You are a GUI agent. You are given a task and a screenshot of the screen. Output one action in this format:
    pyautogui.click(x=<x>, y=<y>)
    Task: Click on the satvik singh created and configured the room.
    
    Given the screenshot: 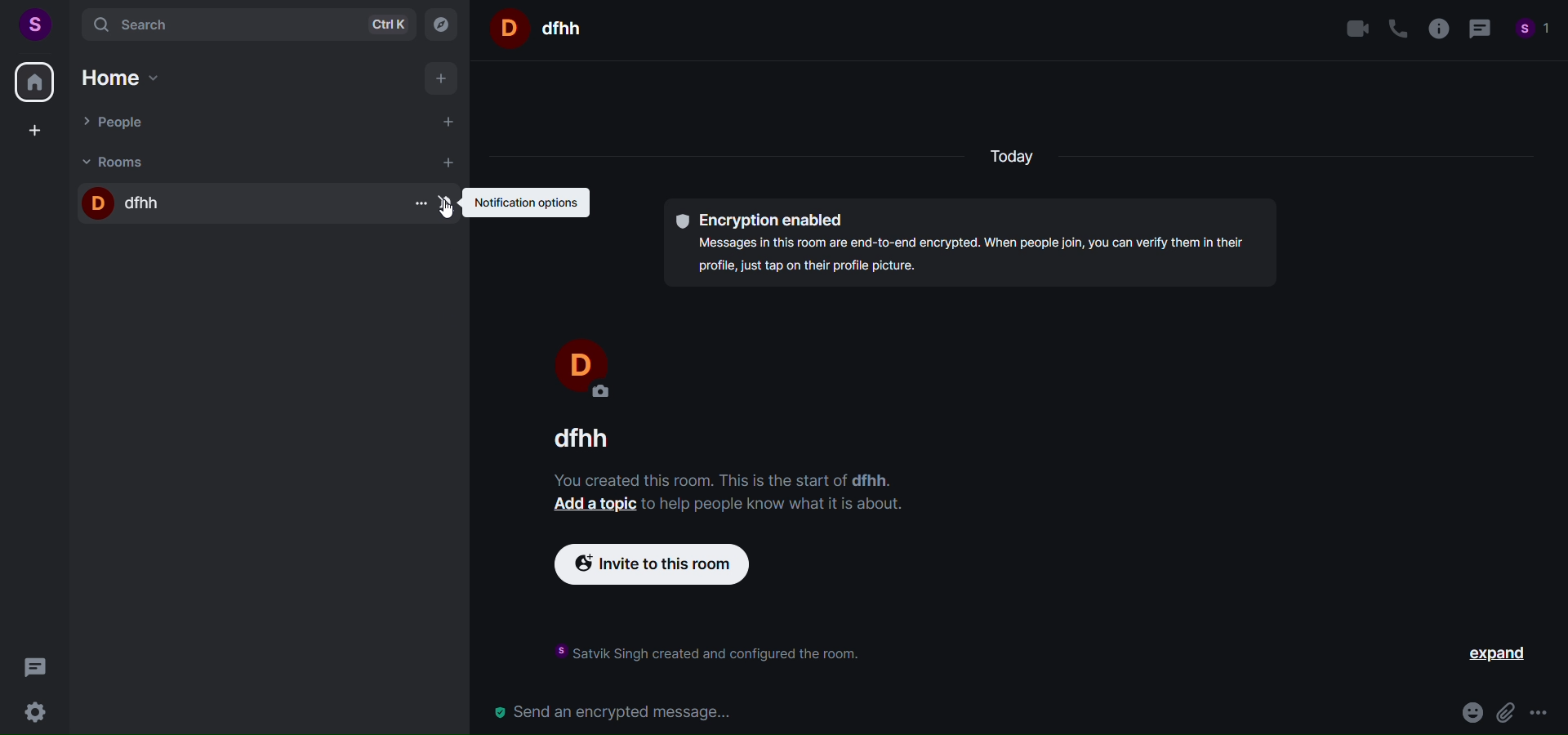 What is the action you would take?
    pyautogui.click(x=700, y=653)
    